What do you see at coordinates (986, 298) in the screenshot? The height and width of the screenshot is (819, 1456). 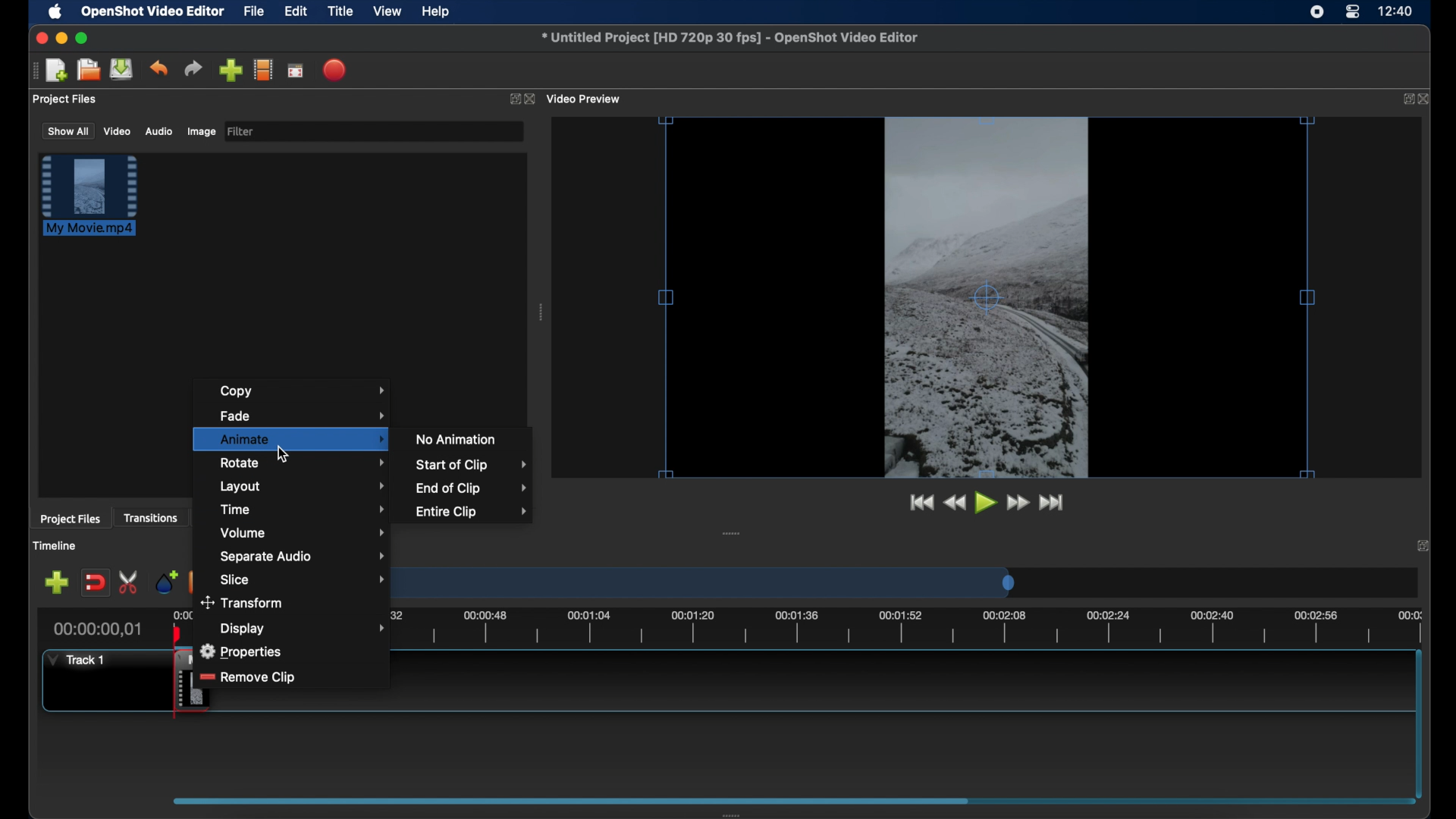 I see `video cursor` at bounding box center [986, 298].